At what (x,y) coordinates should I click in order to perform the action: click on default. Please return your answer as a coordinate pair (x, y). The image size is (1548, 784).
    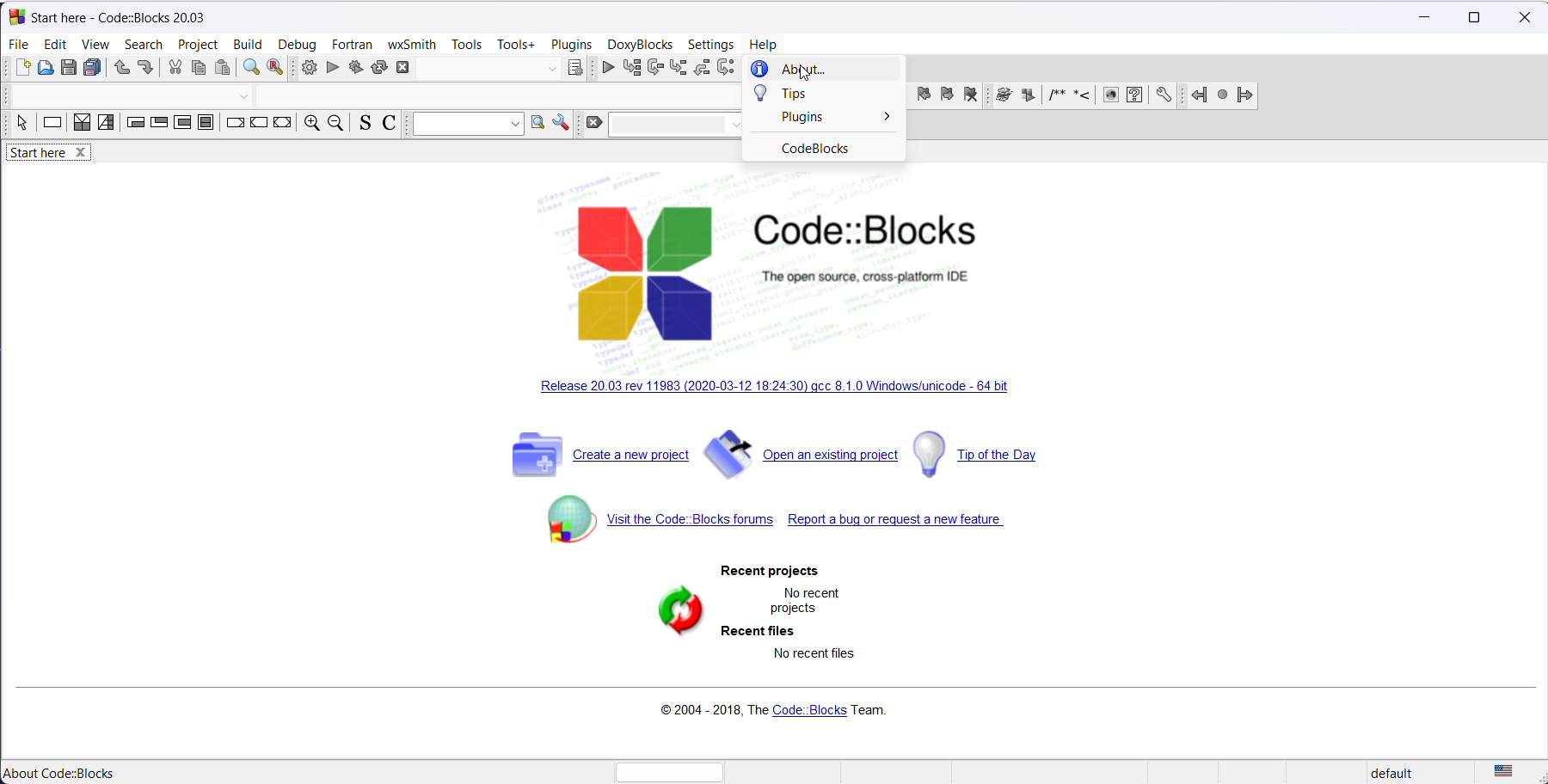
    Looking at the image, I should click on (1402, 774).